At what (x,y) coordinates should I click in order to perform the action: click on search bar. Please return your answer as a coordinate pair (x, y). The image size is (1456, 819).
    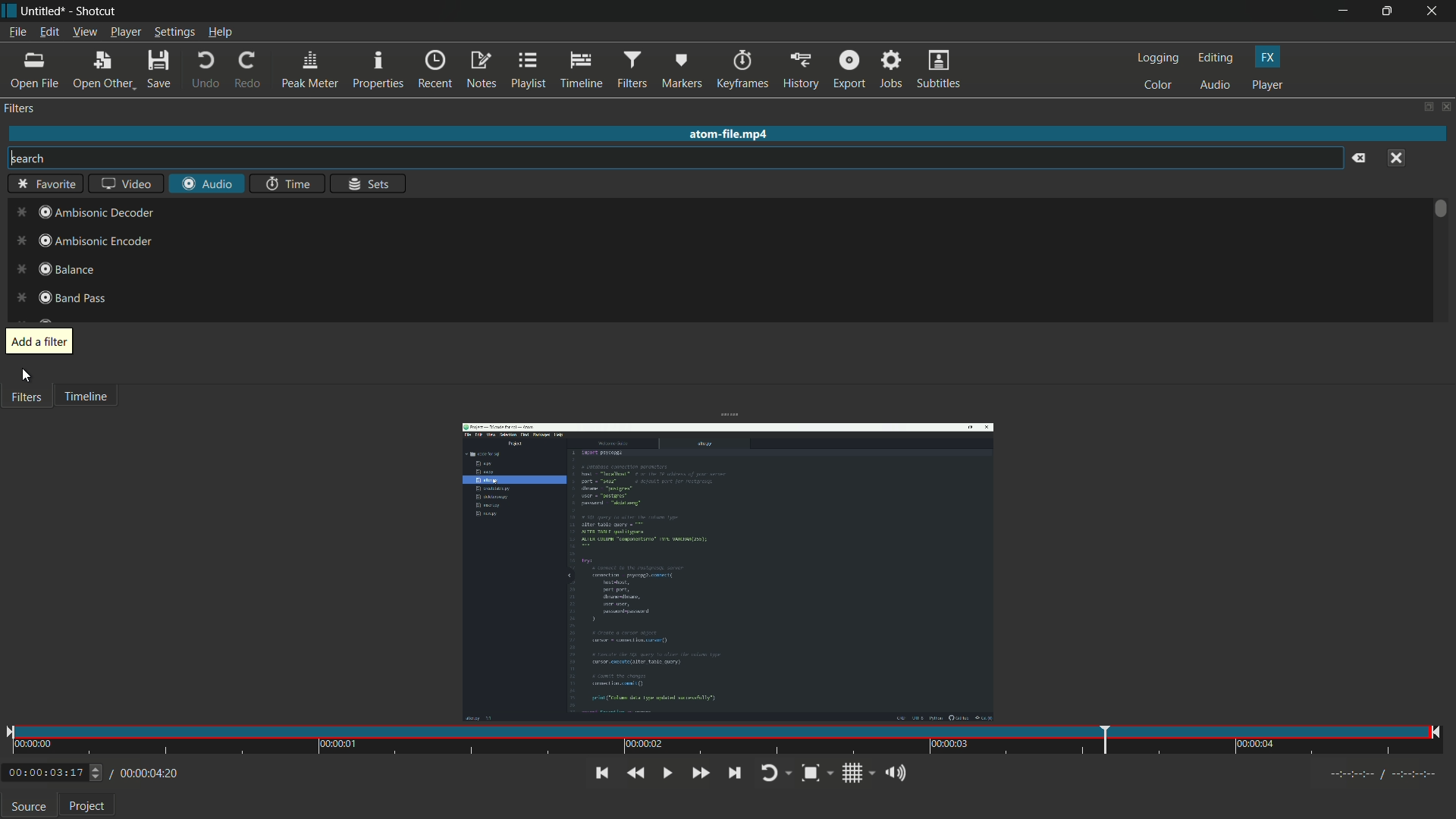
    Looking at the image, I should click on (676, 158).